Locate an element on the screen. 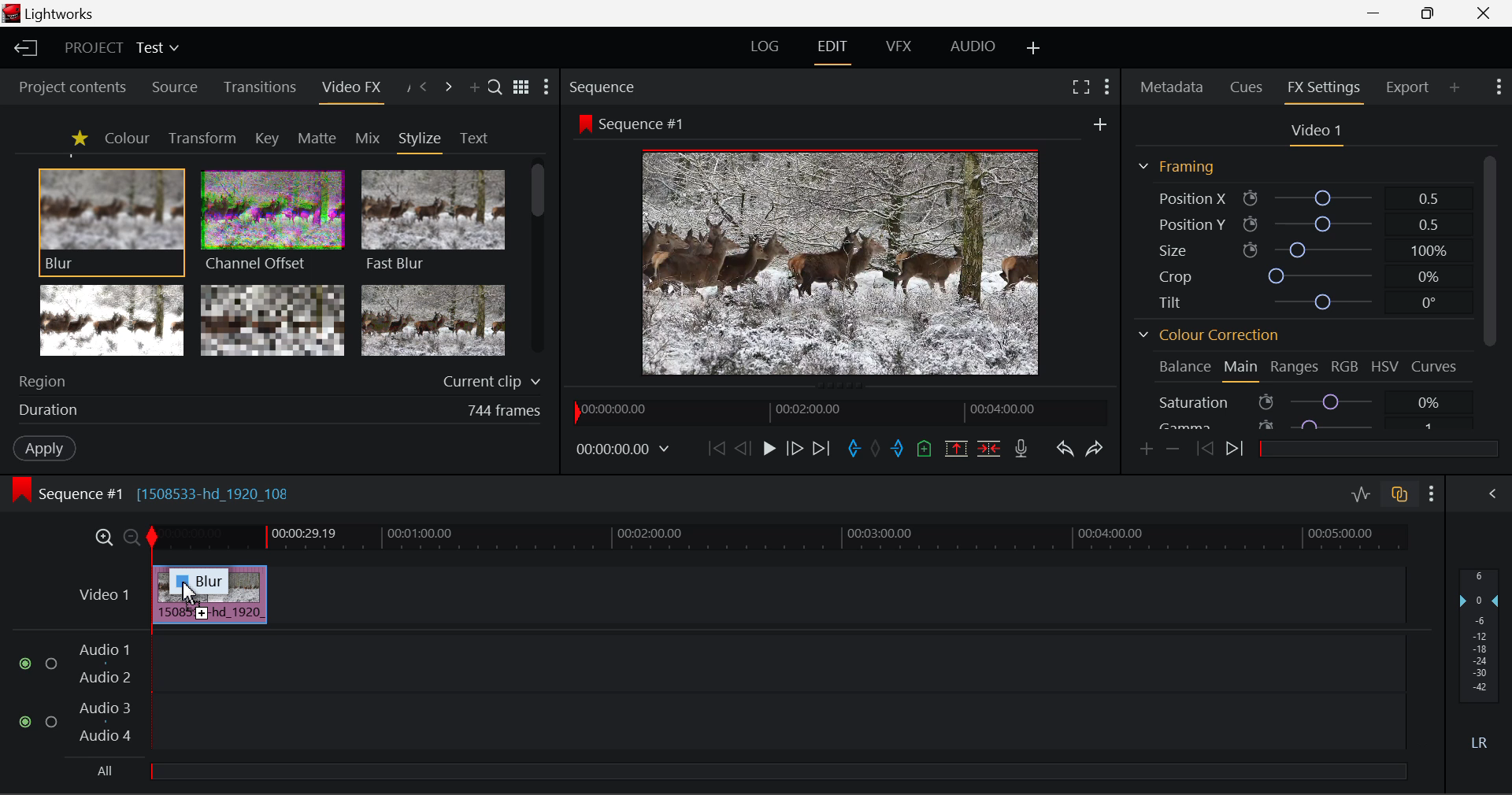  Window Title is located at coordinates (54, 14).